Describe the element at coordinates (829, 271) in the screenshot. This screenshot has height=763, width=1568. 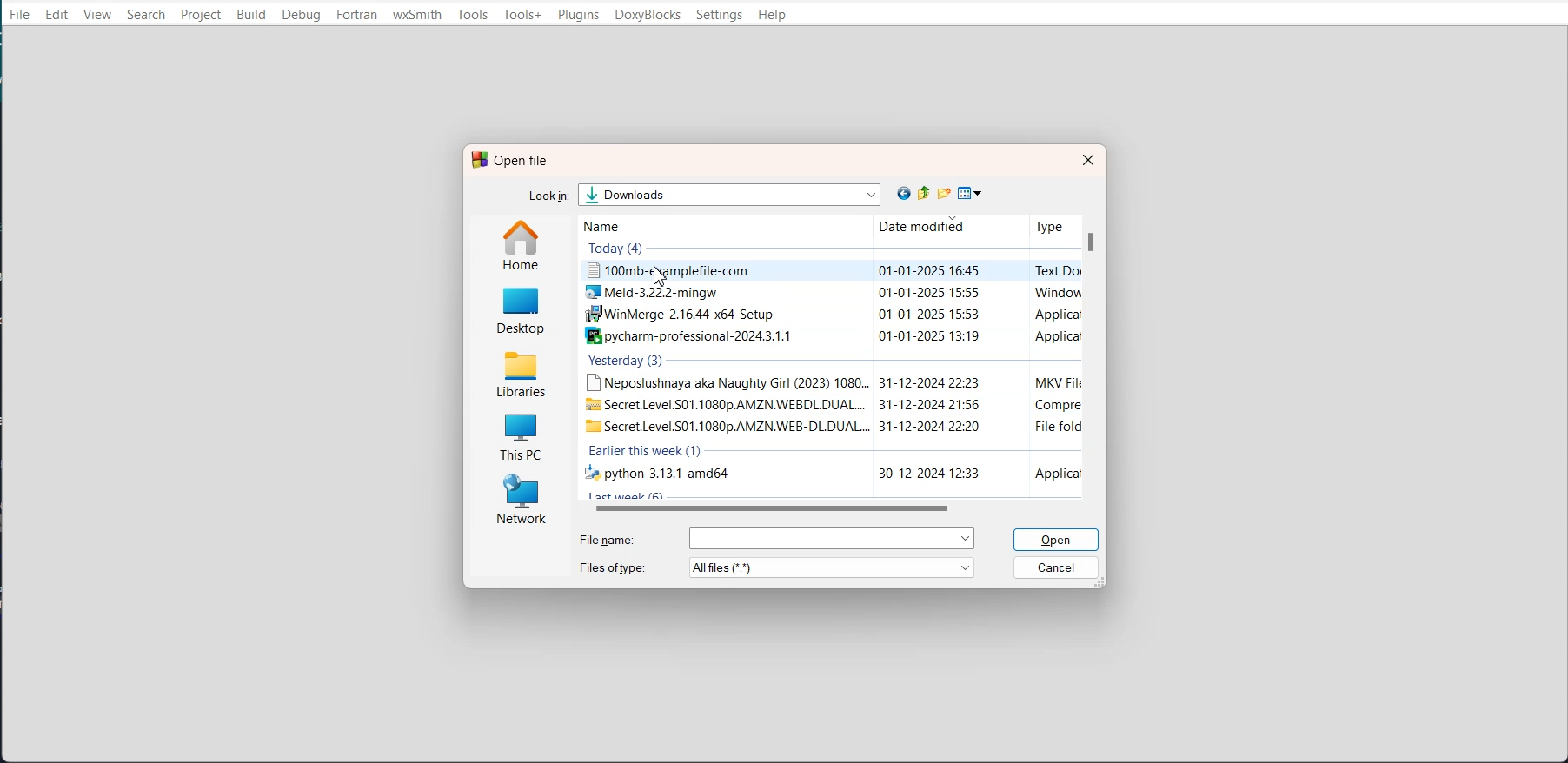
I see `100mb-examplefile.com` at that location.